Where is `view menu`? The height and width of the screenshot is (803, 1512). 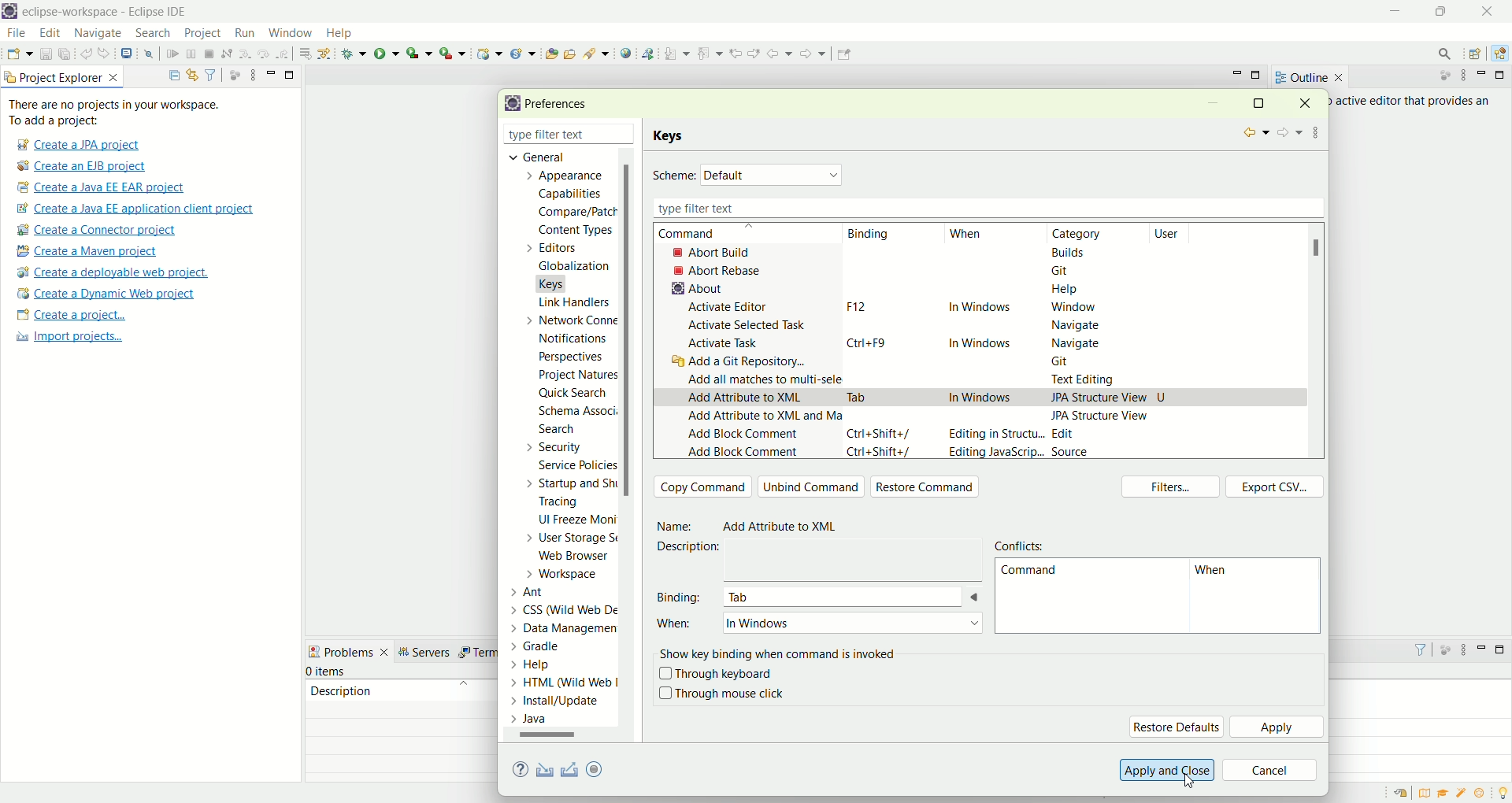 view menu is located at coordinates (1462, 653).